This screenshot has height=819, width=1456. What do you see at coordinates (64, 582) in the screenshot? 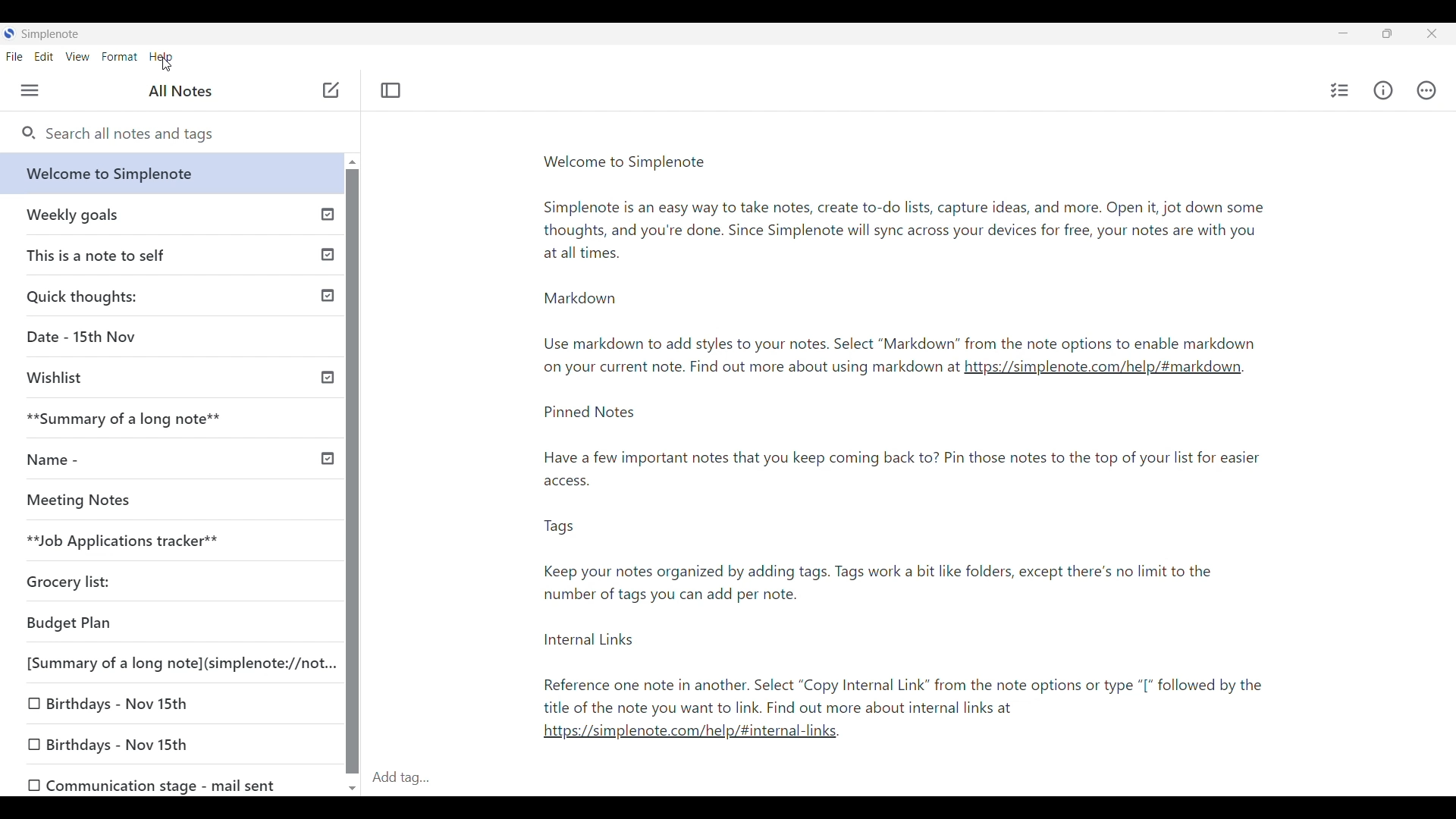
I see `Grocery list:` at bounding box center [64, 582].